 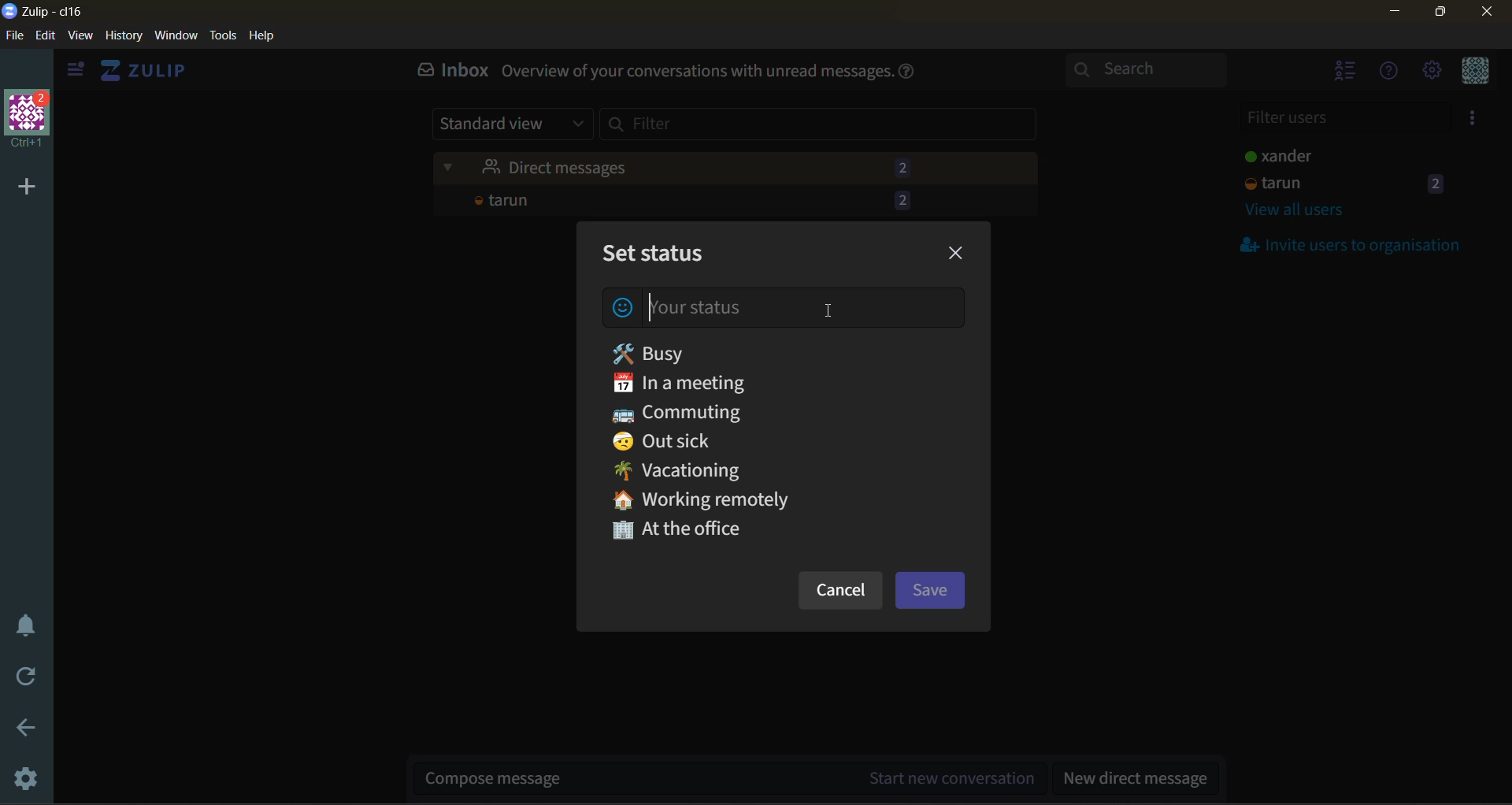 I want to click on At the office, so click(x=687, y=536).